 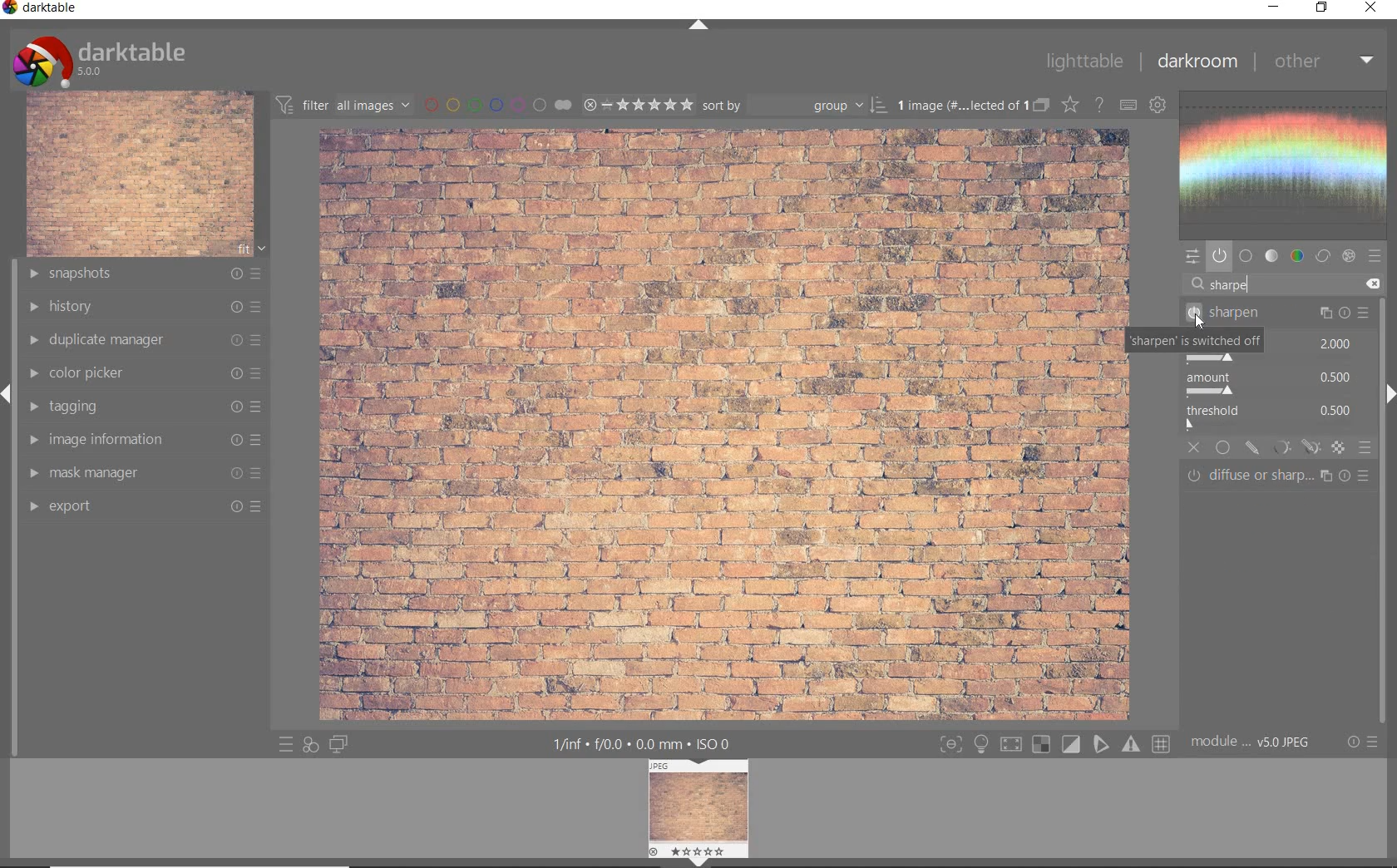 I want to click on display a second darkroom image widow, so click(x=340, y=744).